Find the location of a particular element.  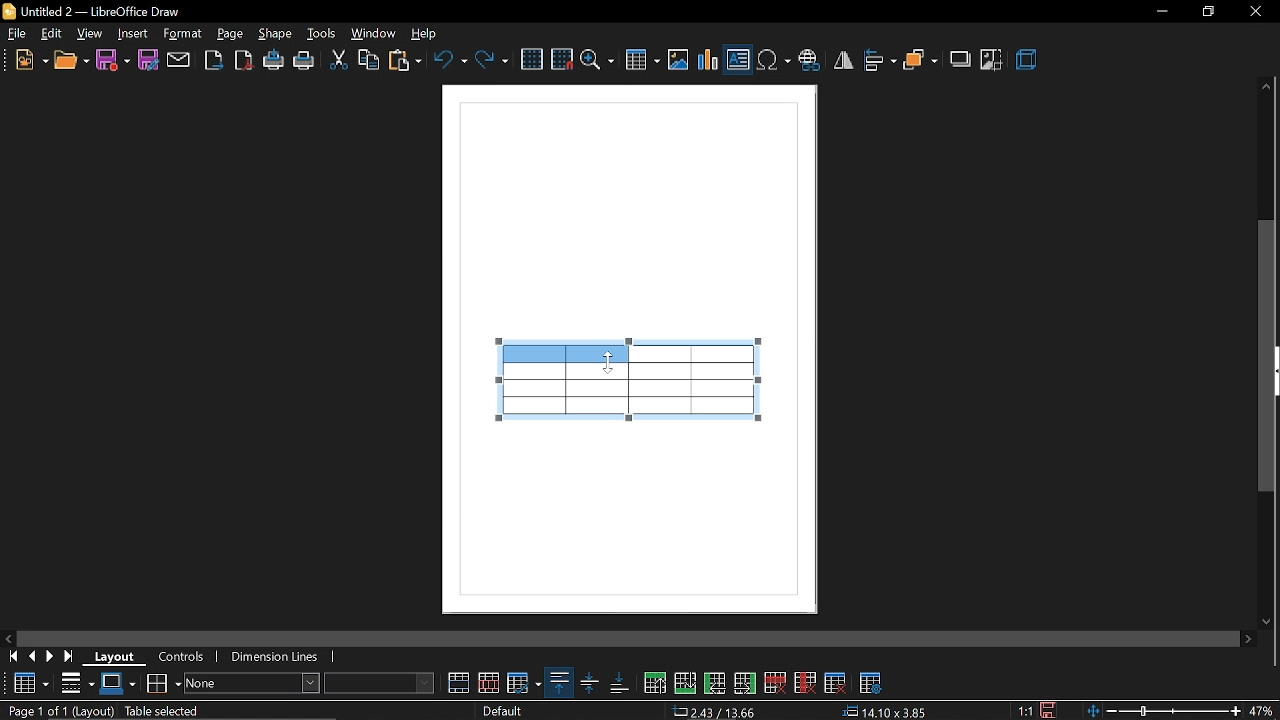

3d effects is located at coordinates (1027, 60).